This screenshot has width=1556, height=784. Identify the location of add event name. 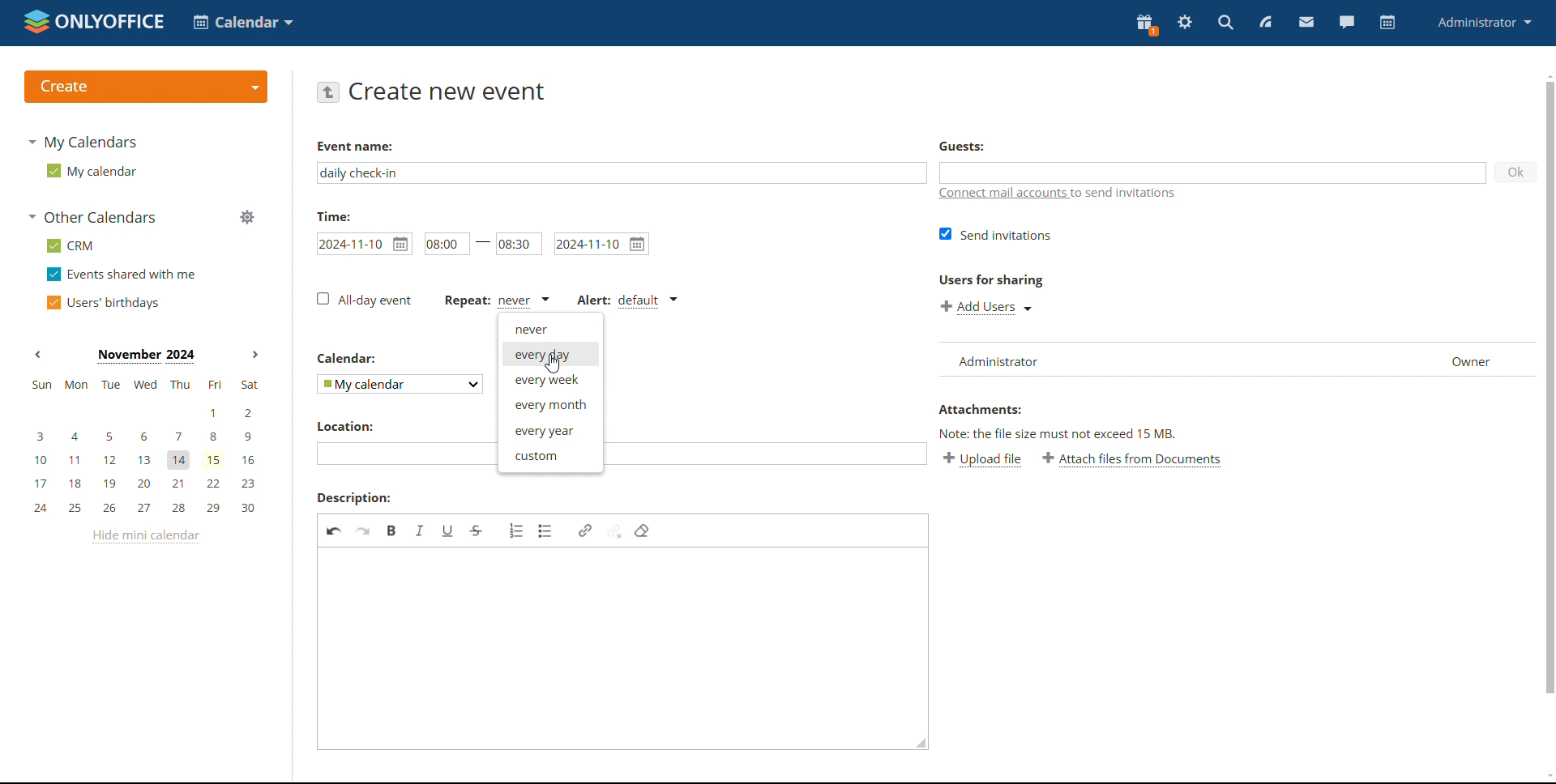
(621, 173).